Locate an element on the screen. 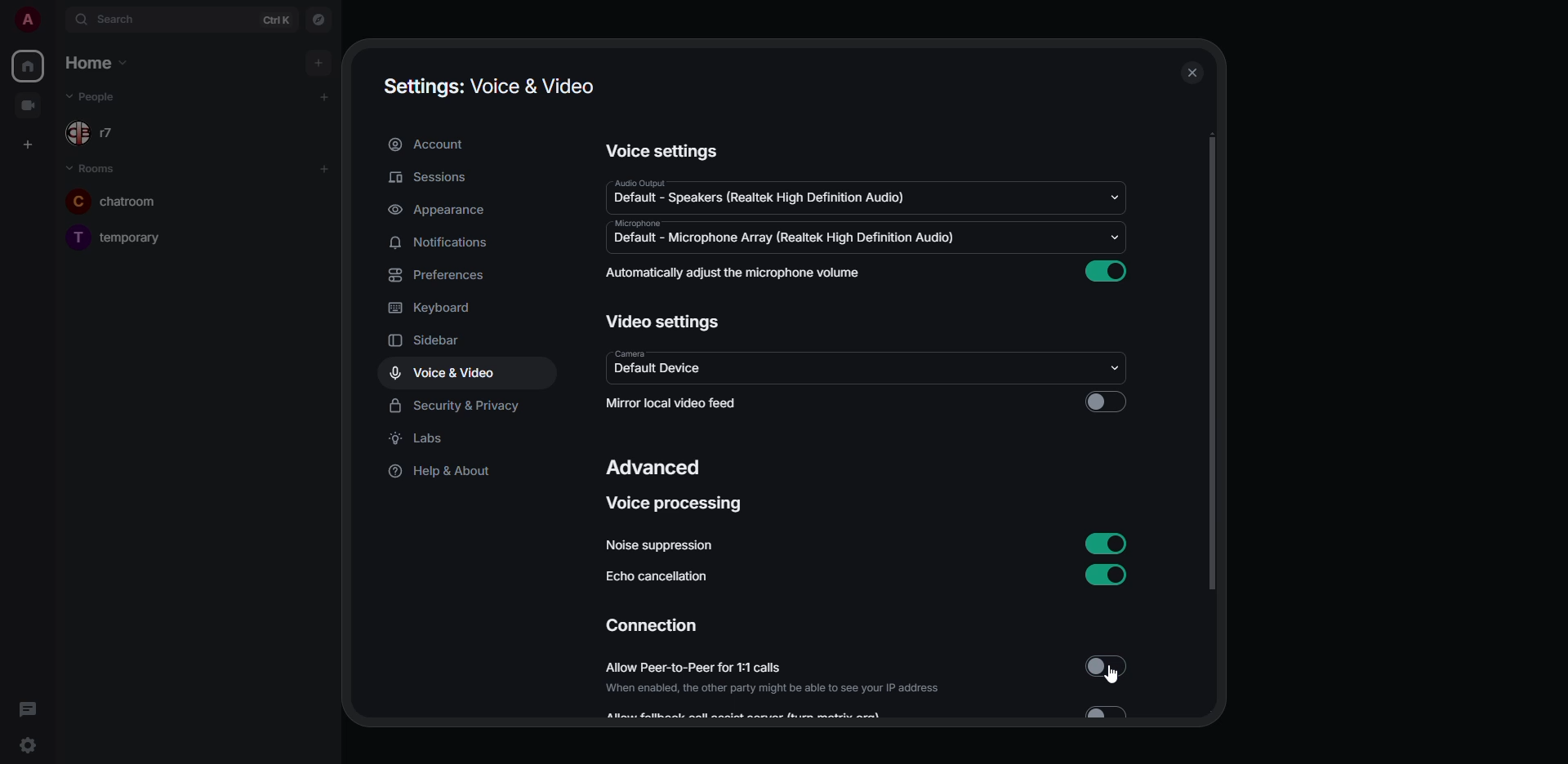 The width and height of the screenshot is (1568, 764). ctrl K is located at coordinates (275, 20).